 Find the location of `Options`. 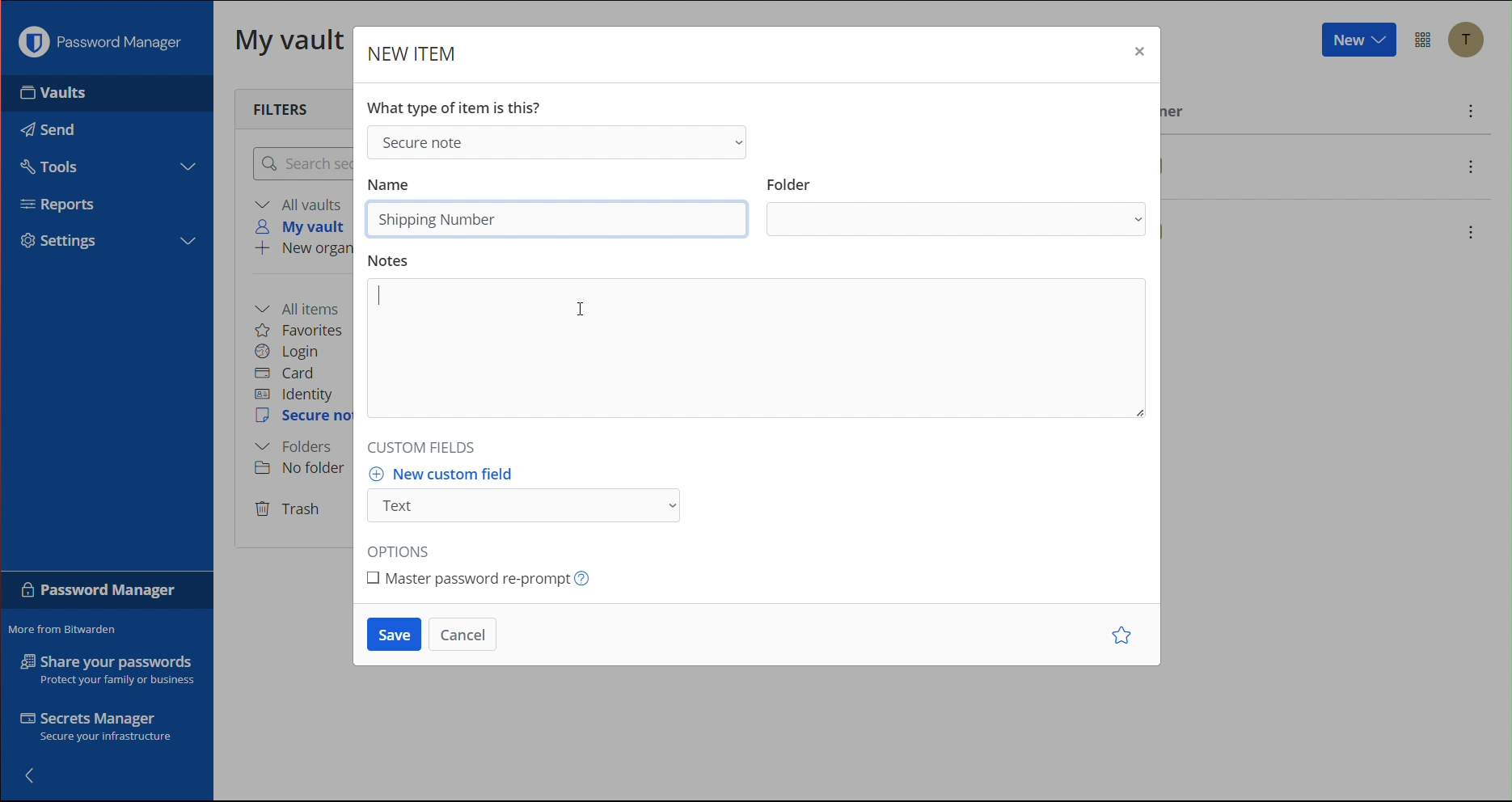

Options is located at coordinates (1425, 39).